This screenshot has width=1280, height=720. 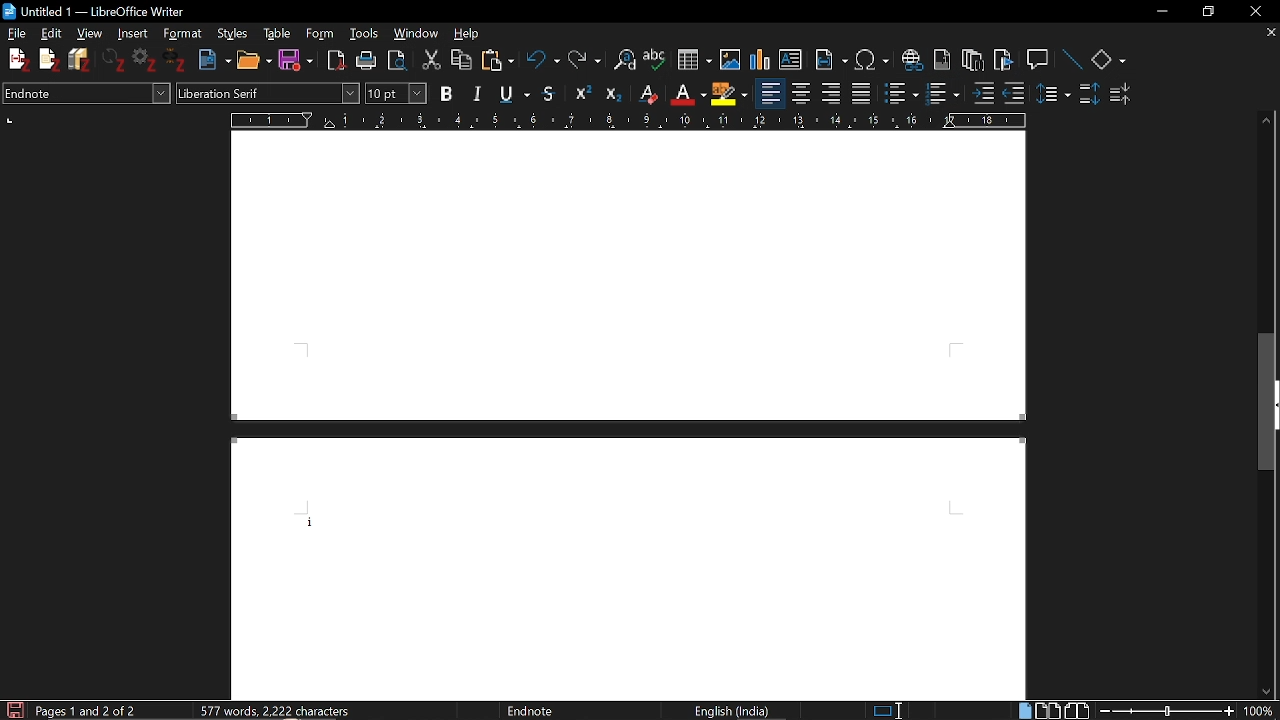 I want to click on Highlight, so click(x=732, y=94).